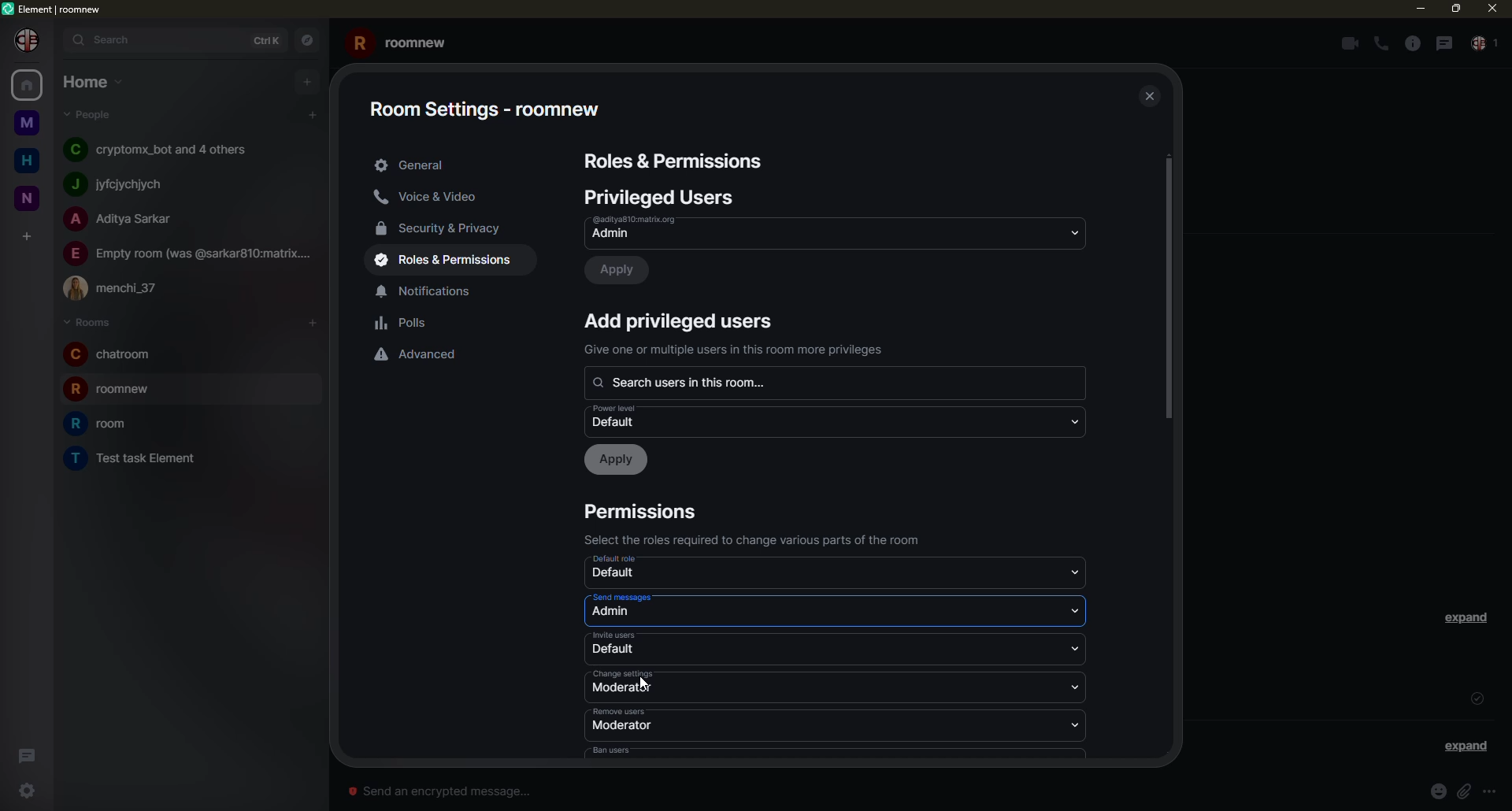 Image resolution: width=1512 pixels, height=811 pixels. I want to click on remove, so click(623, 711).